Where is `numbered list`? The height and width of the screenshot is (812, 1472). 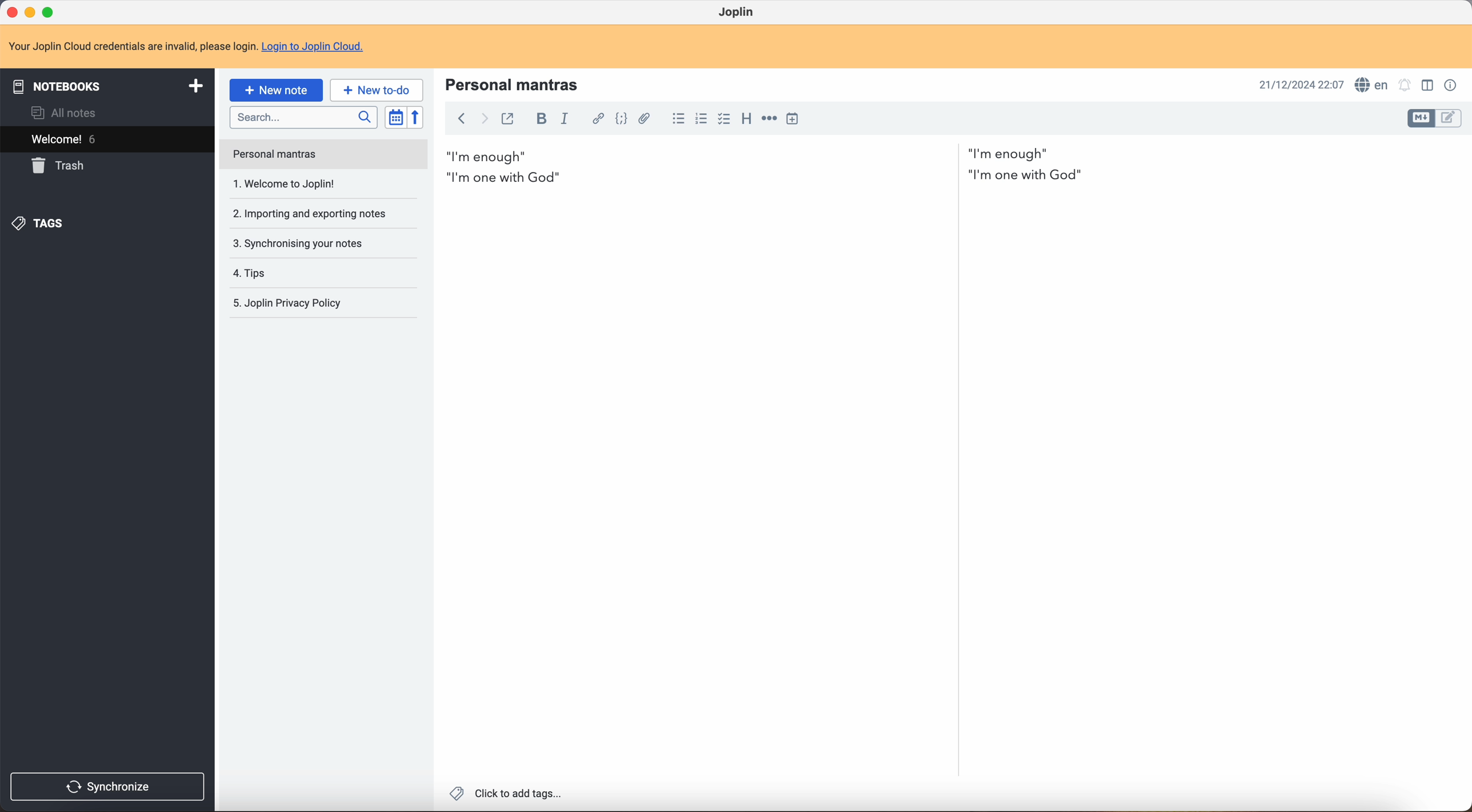 numbered list is located at coordinates (702, 118).